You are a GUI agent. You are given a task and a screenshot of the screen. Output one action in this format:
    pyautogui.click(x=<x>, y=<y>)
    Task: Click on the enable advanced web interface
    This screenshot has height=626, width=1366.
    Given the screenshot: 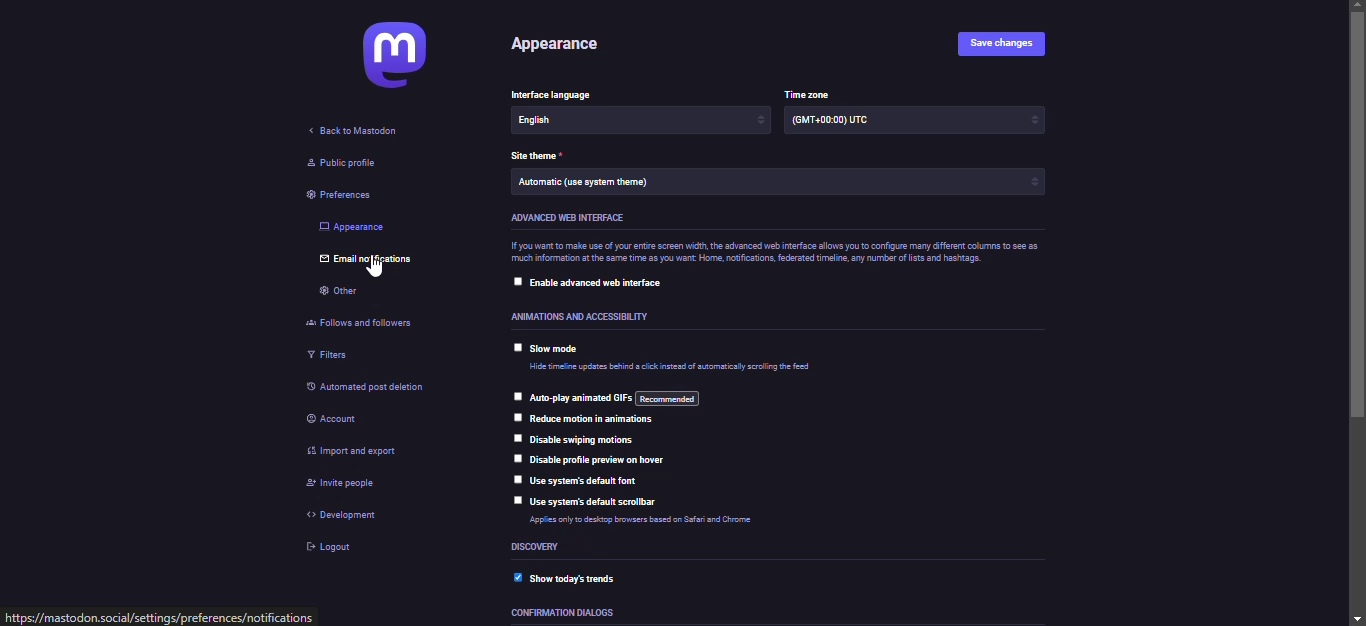 What is the action you would take?
    pyautogui.click(x=601, y=283)
    